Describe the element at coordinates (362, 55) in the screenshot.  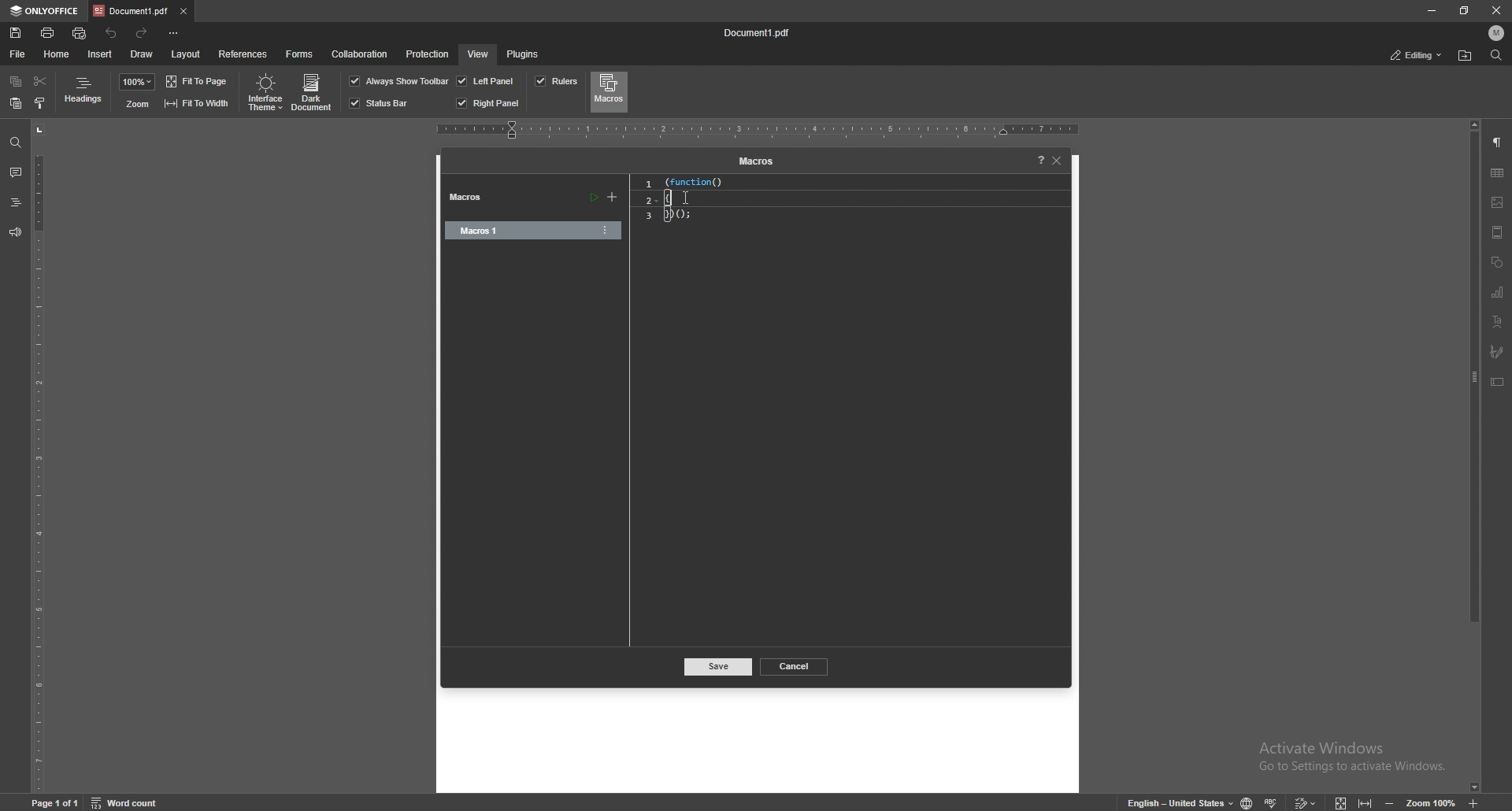
I see `collaboration` at that location.